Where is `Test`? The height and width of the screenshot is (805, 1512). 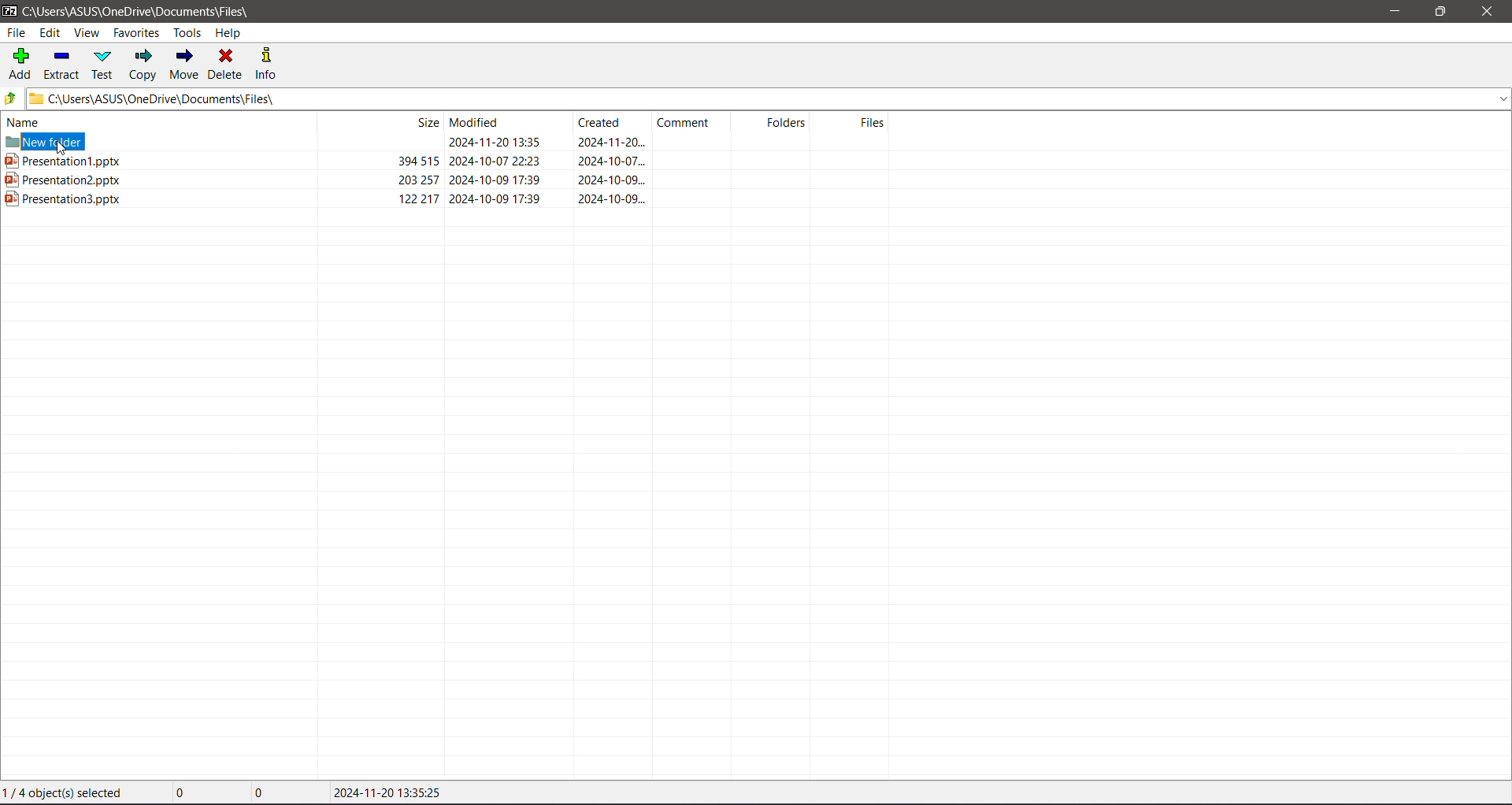 Test is located at coordinates (104, 65).